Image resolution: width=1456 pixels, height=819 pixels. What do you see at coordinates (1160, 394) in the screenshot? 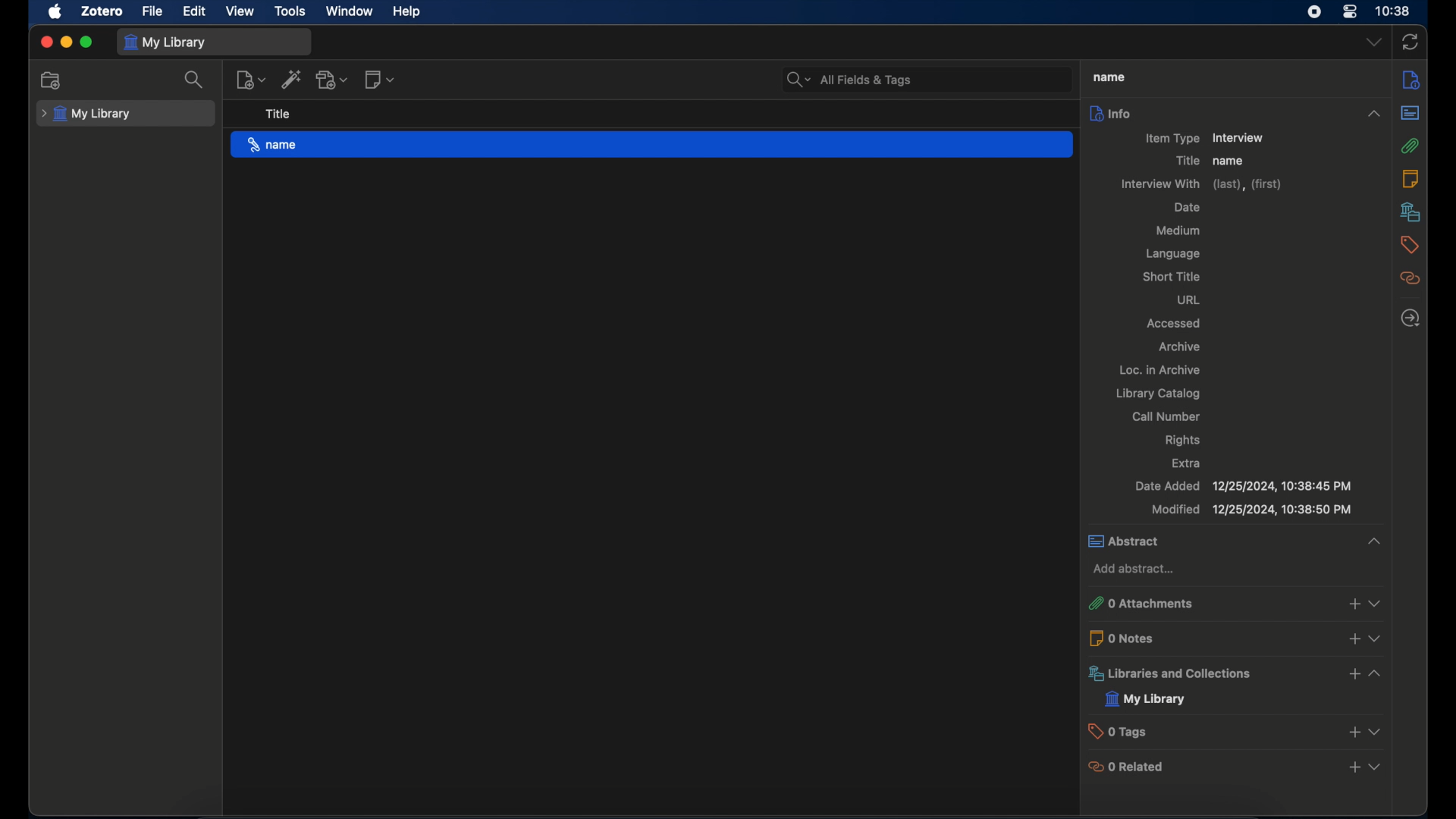
I see `library catalog` at bounding box center [1160, 394].